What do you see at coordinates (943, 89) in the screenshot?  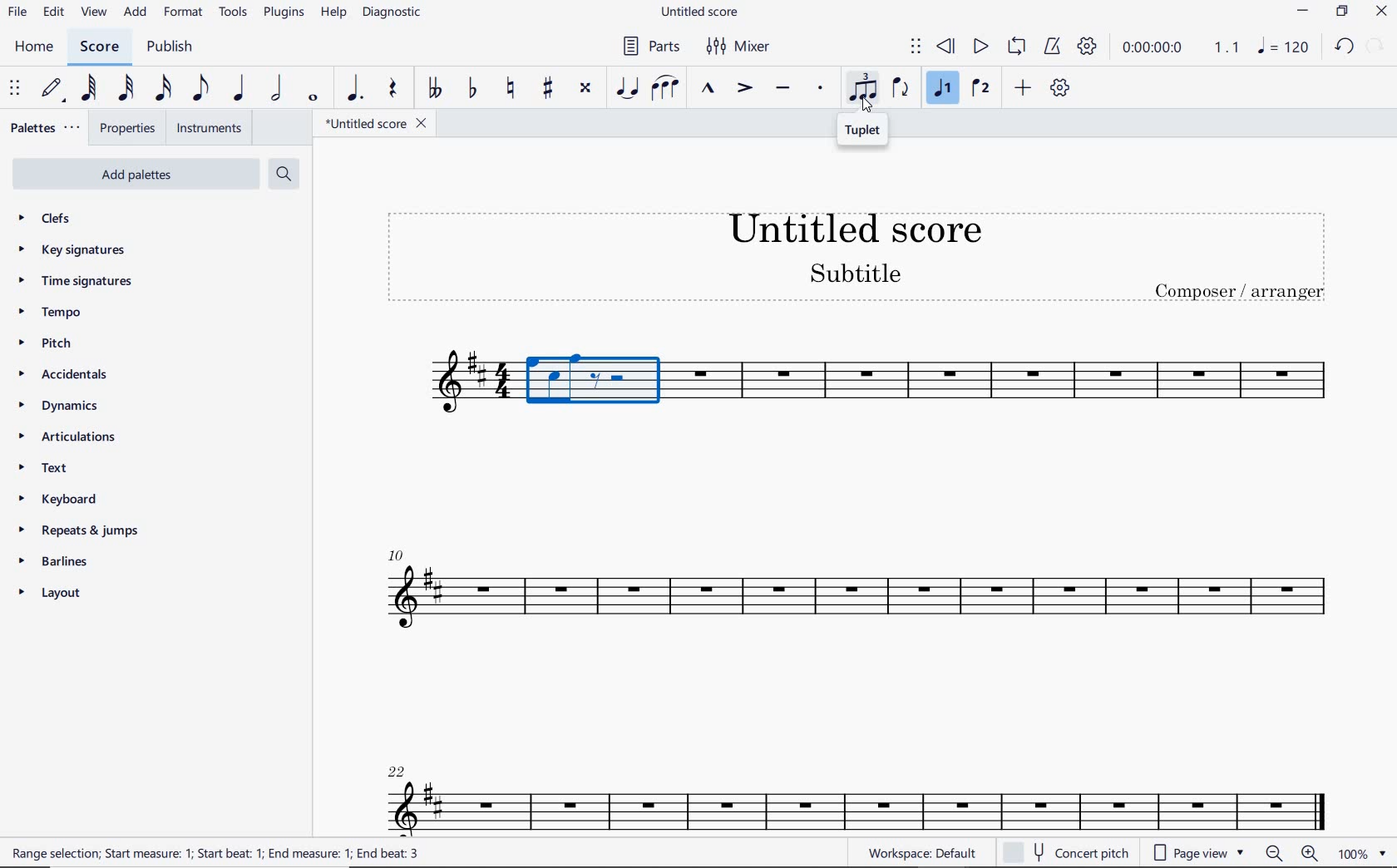 I see `VOICE 1` at bounding box center [943, 89].